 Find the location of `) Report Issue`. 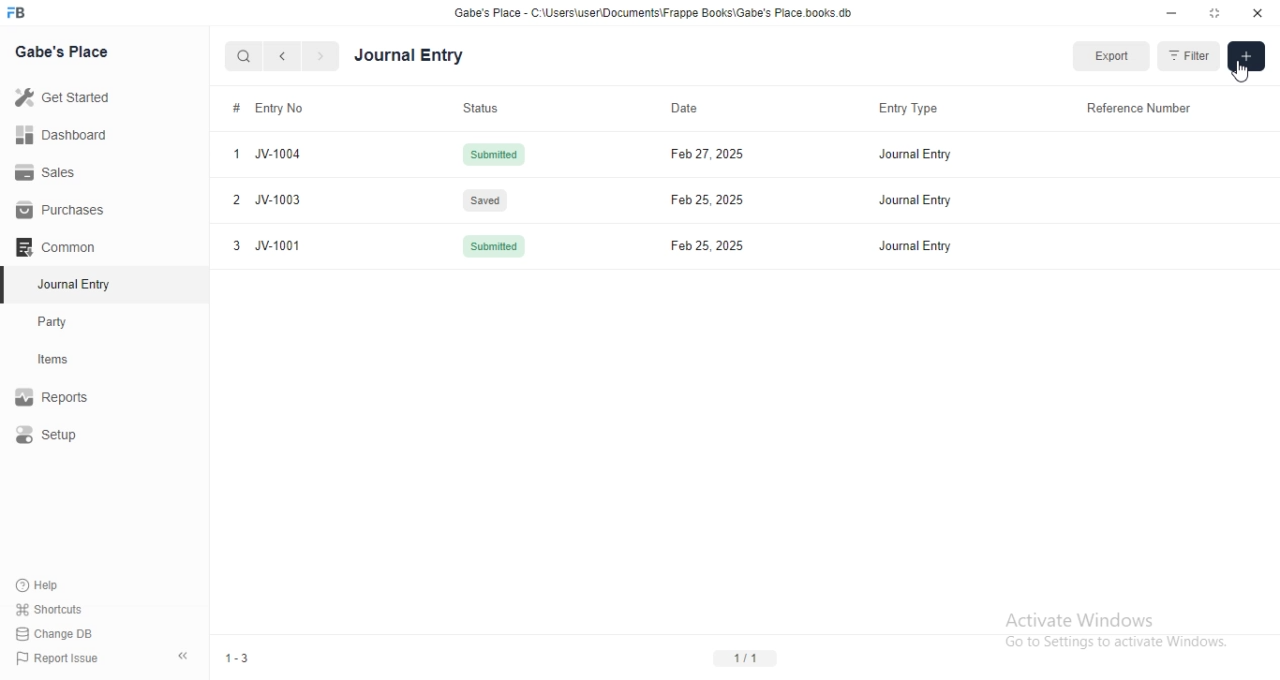

) Report Issue is located at coordinates (59, 659).